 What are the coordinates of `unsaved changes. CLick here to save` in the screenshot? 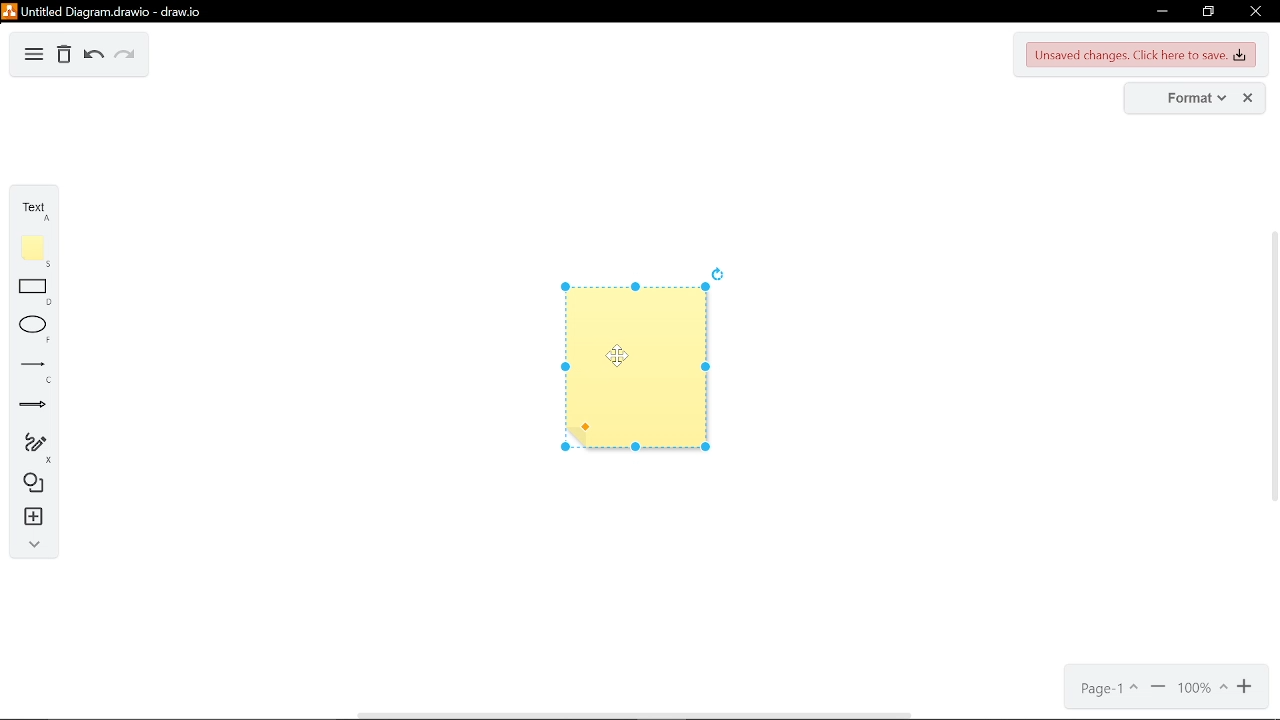 It's located at (1142, 55).